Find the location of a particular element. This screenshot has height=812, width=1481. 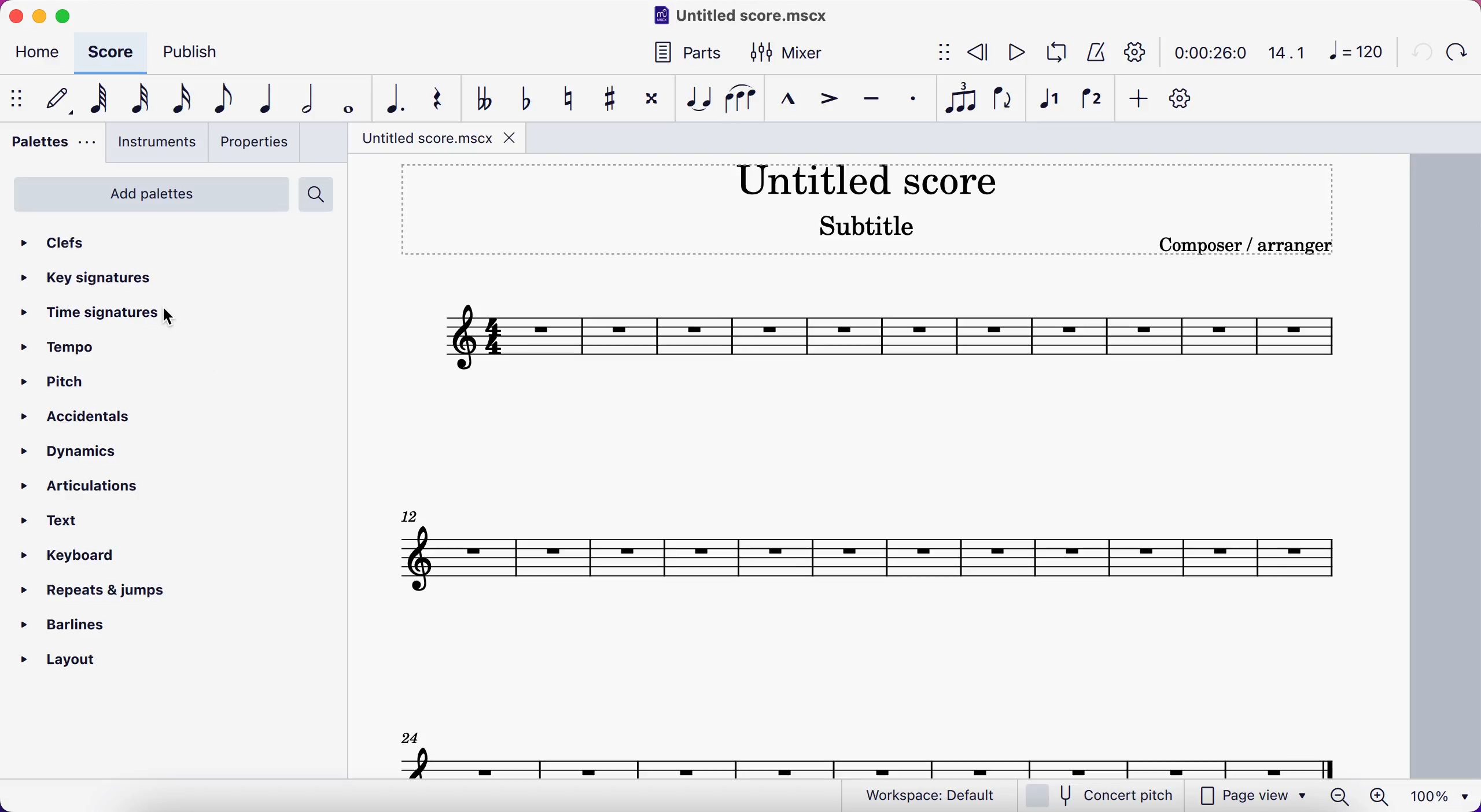

title is located at coordinates (420, 141).